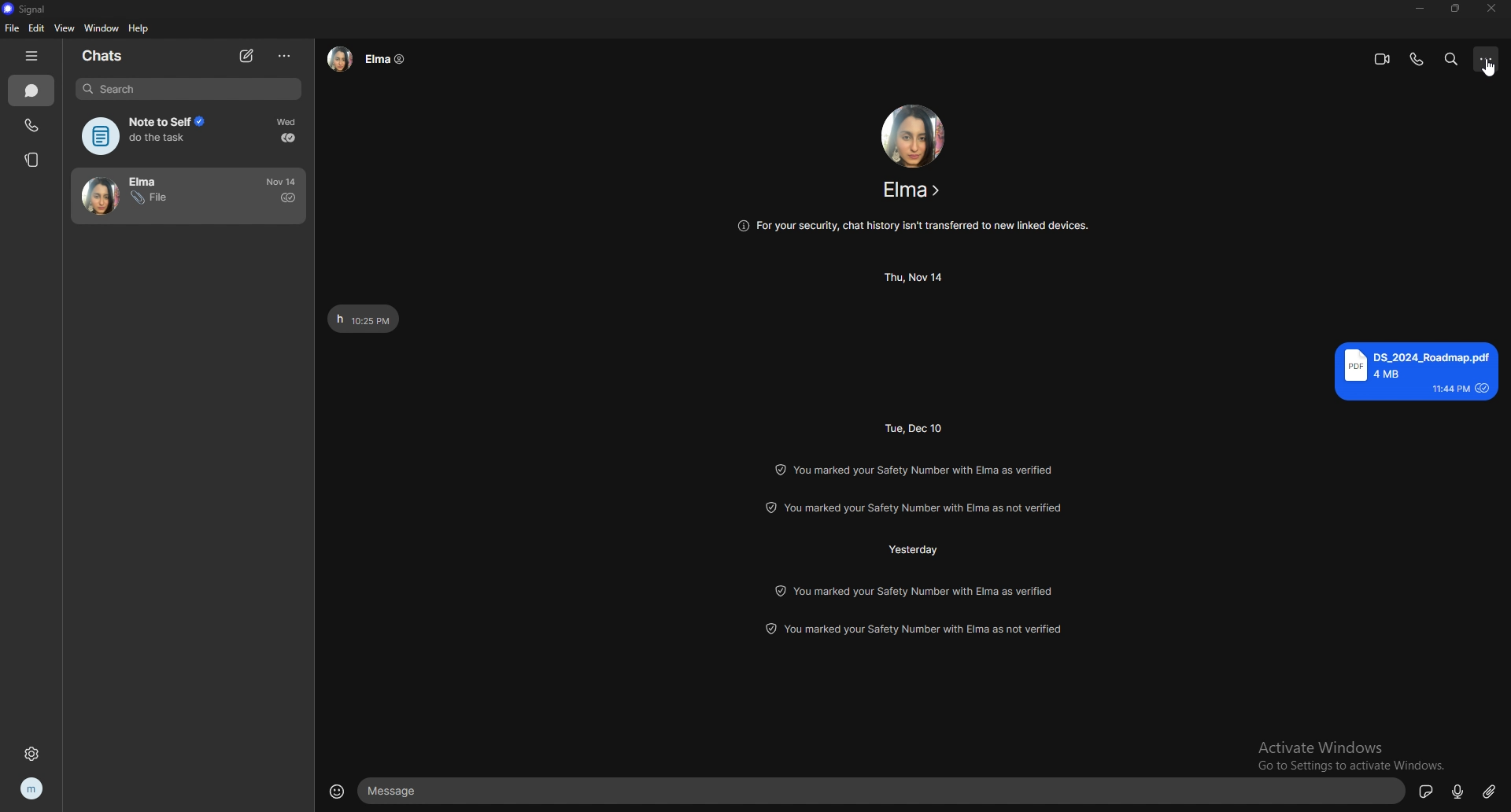  What do you see at coordinates (31, 752) in the screenshot?
I see `settings` at bounding box center [31, 752].